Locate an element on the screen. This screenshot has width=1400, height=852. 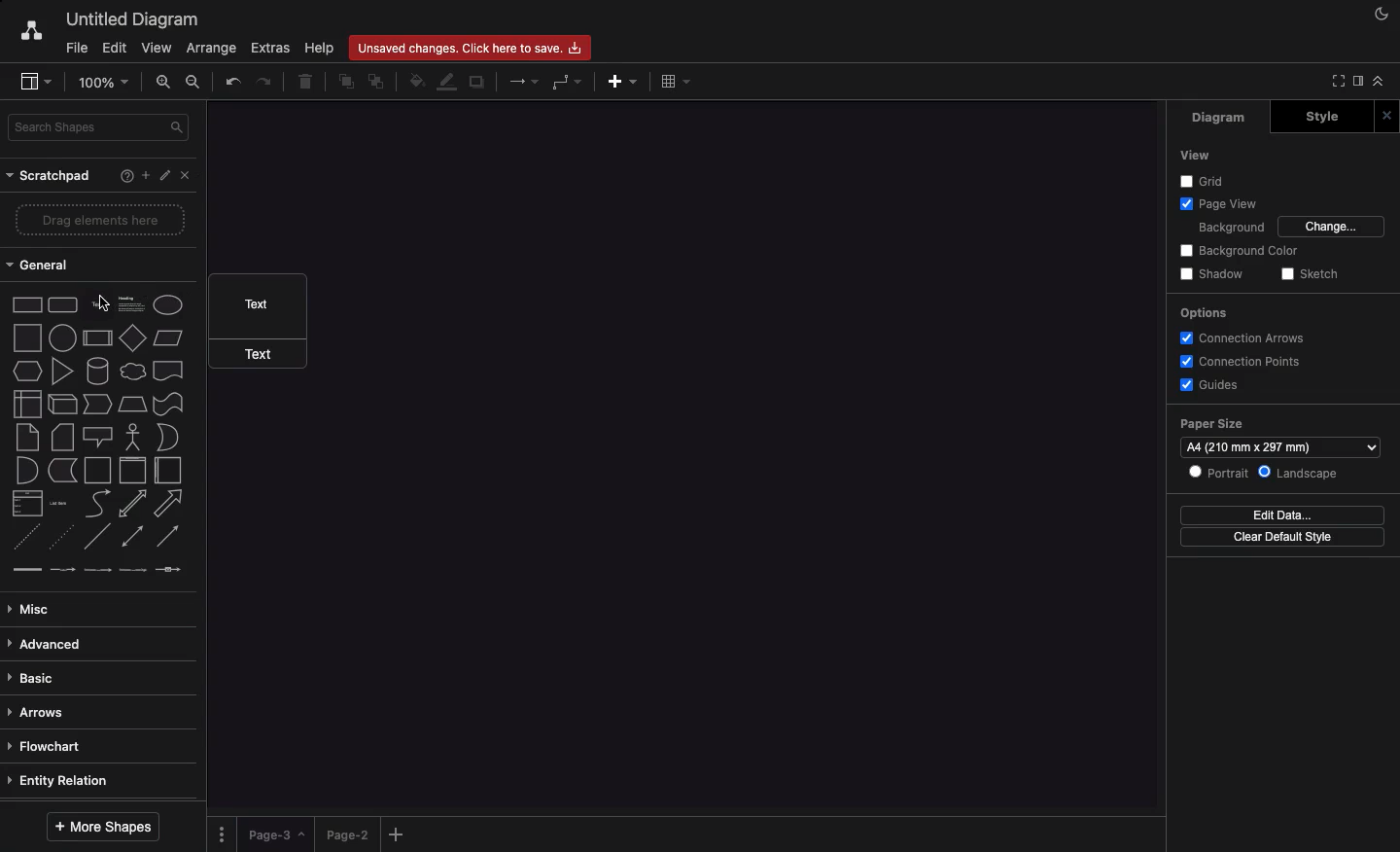
triangle is located at coordinates (63, 371).